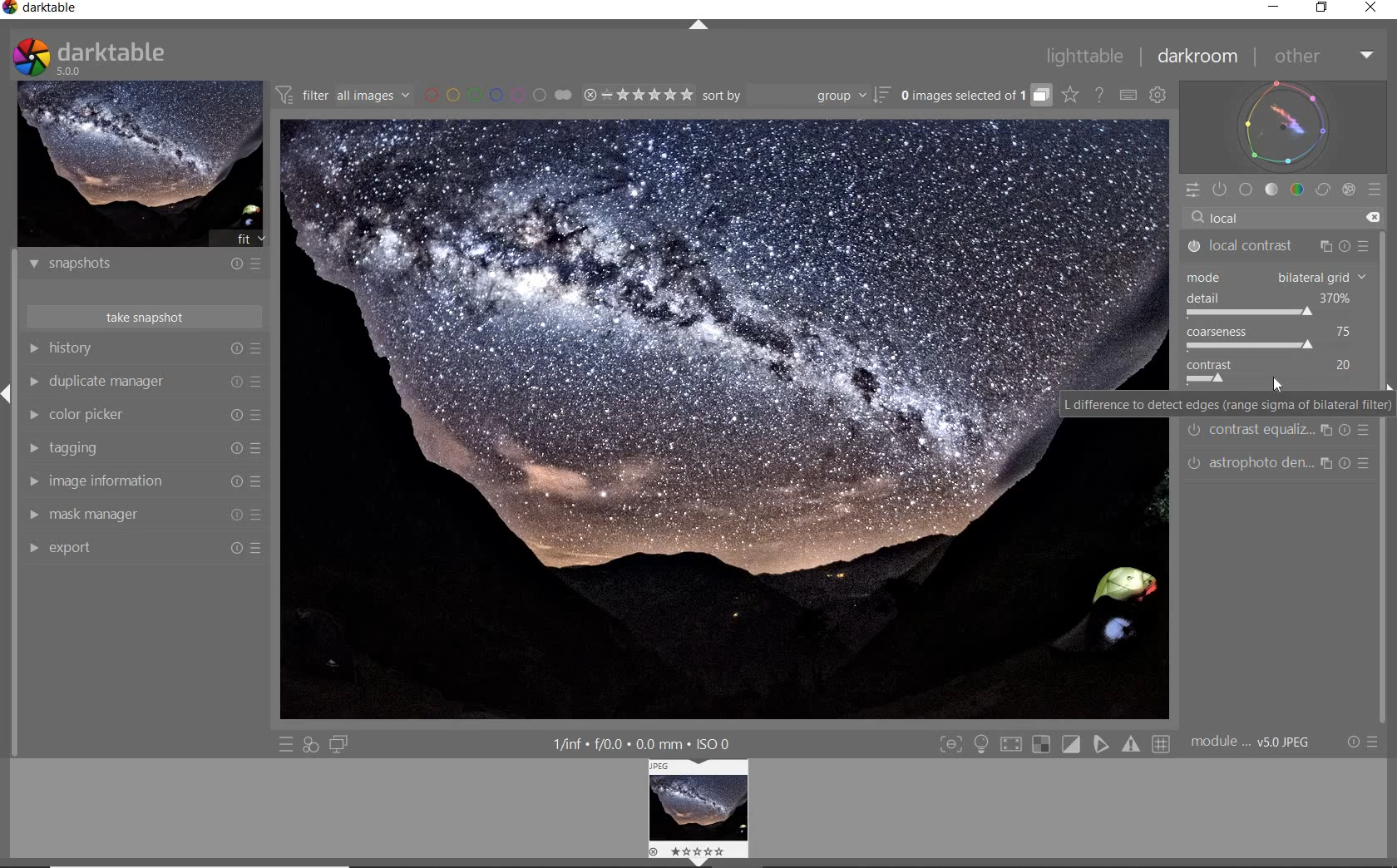  I want to click on presets, so click(1360, 240).